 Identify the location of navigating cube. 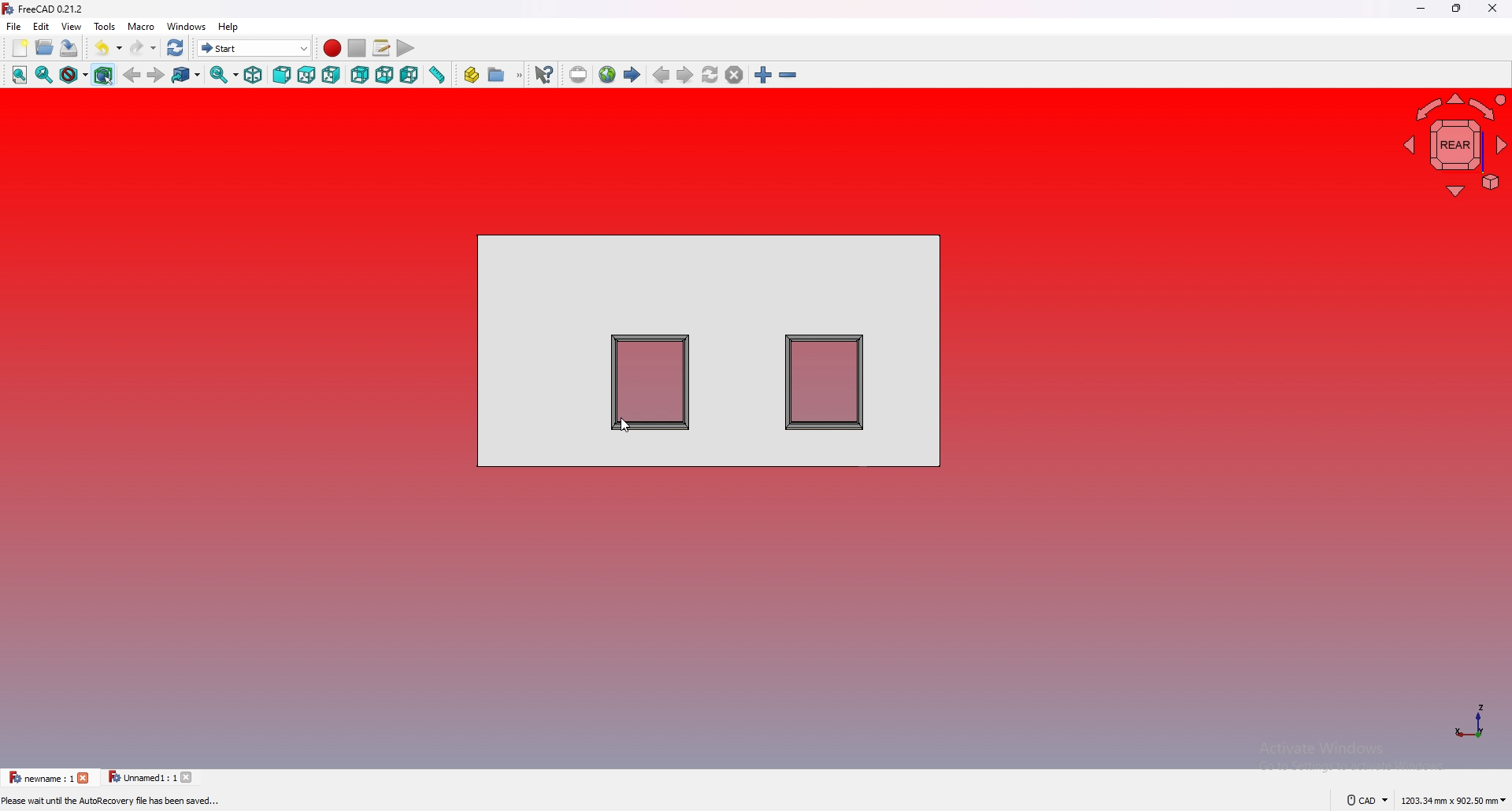
(1455, 146).